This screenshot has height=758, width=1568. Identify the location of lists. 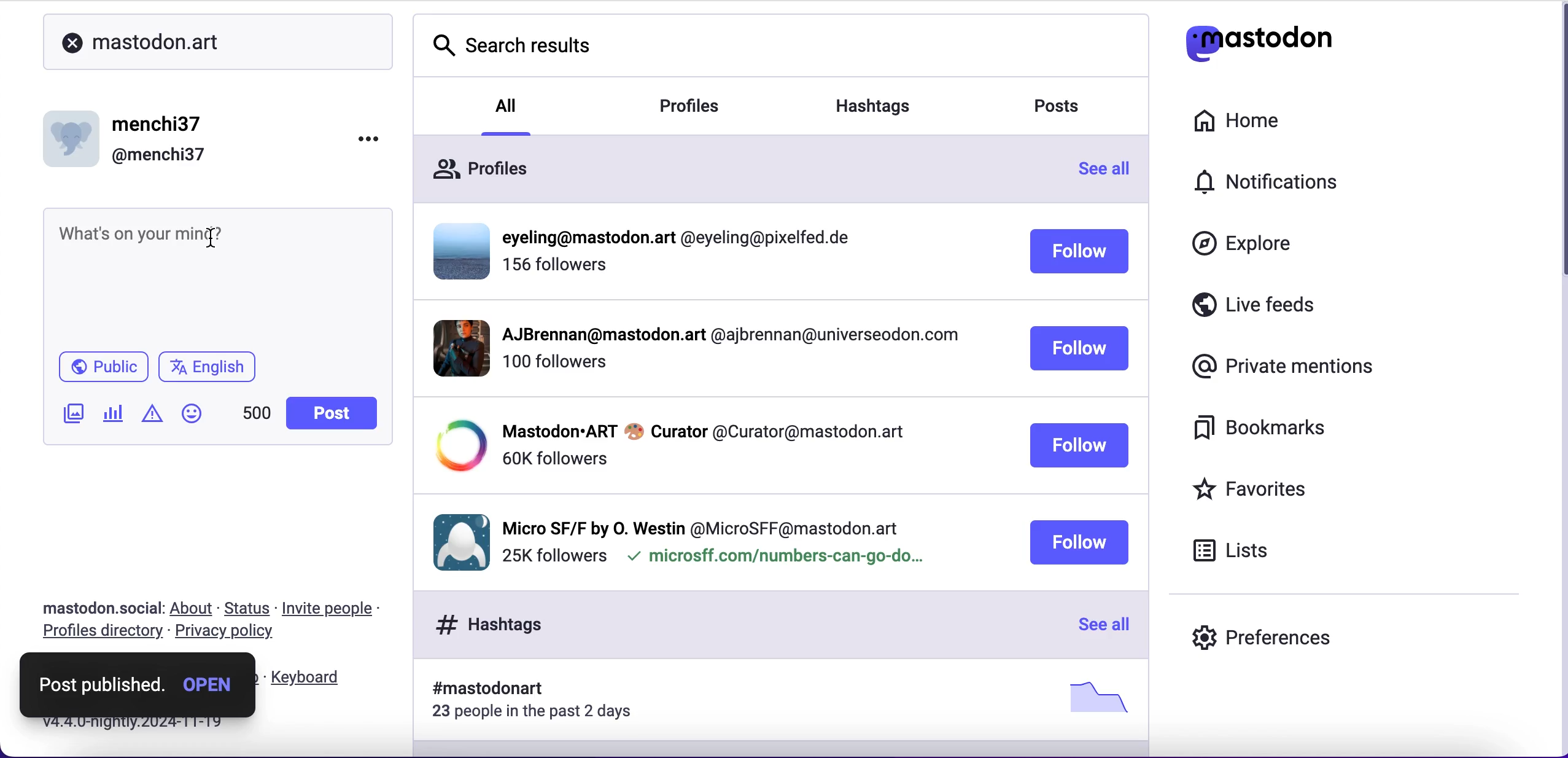
(1241, 554).